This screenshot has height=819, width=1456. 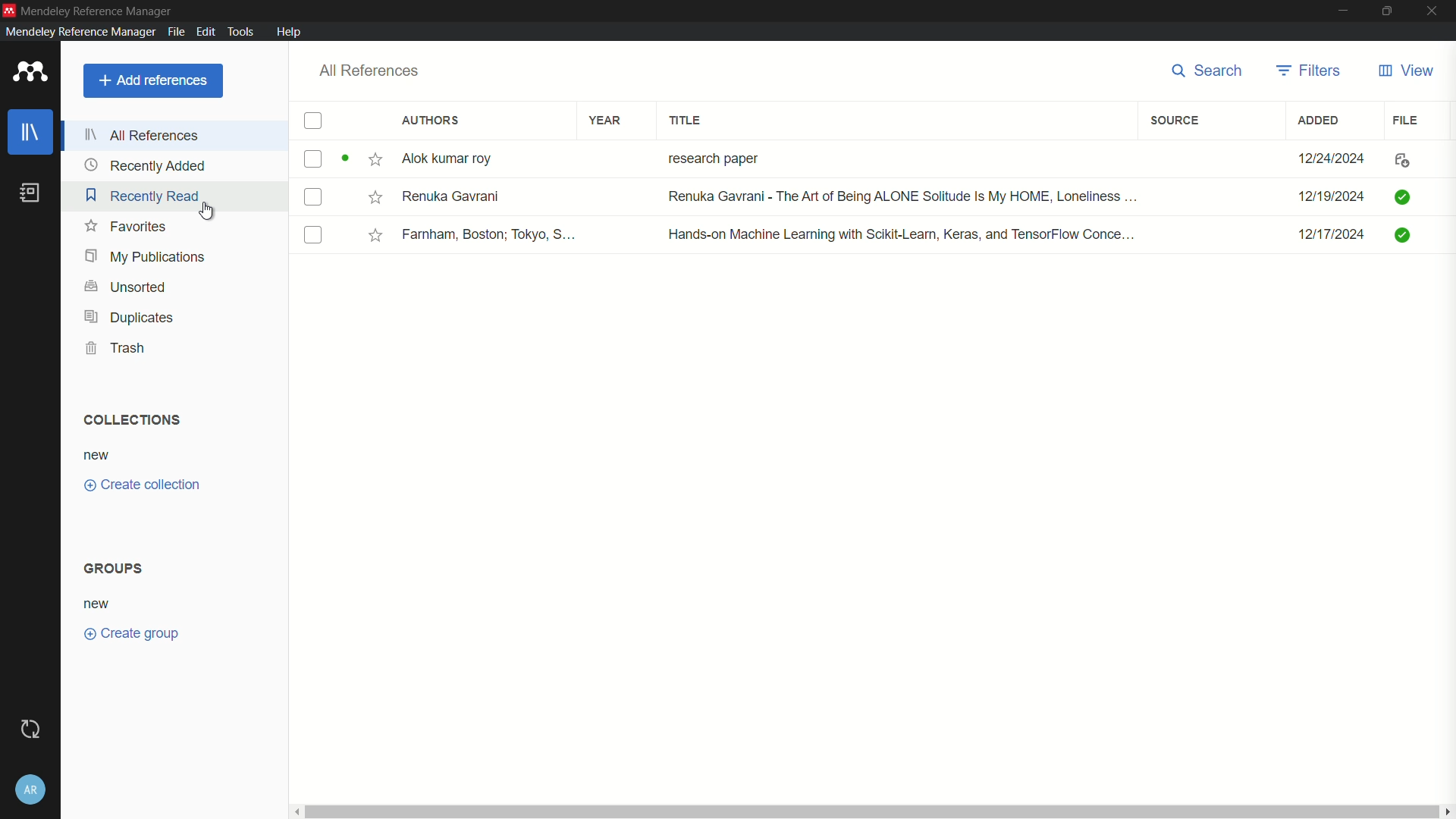 What do you see at coordinates (374, 158) in the screenshot?
I see `Toggle favorites` at bounding box center [374, 158].